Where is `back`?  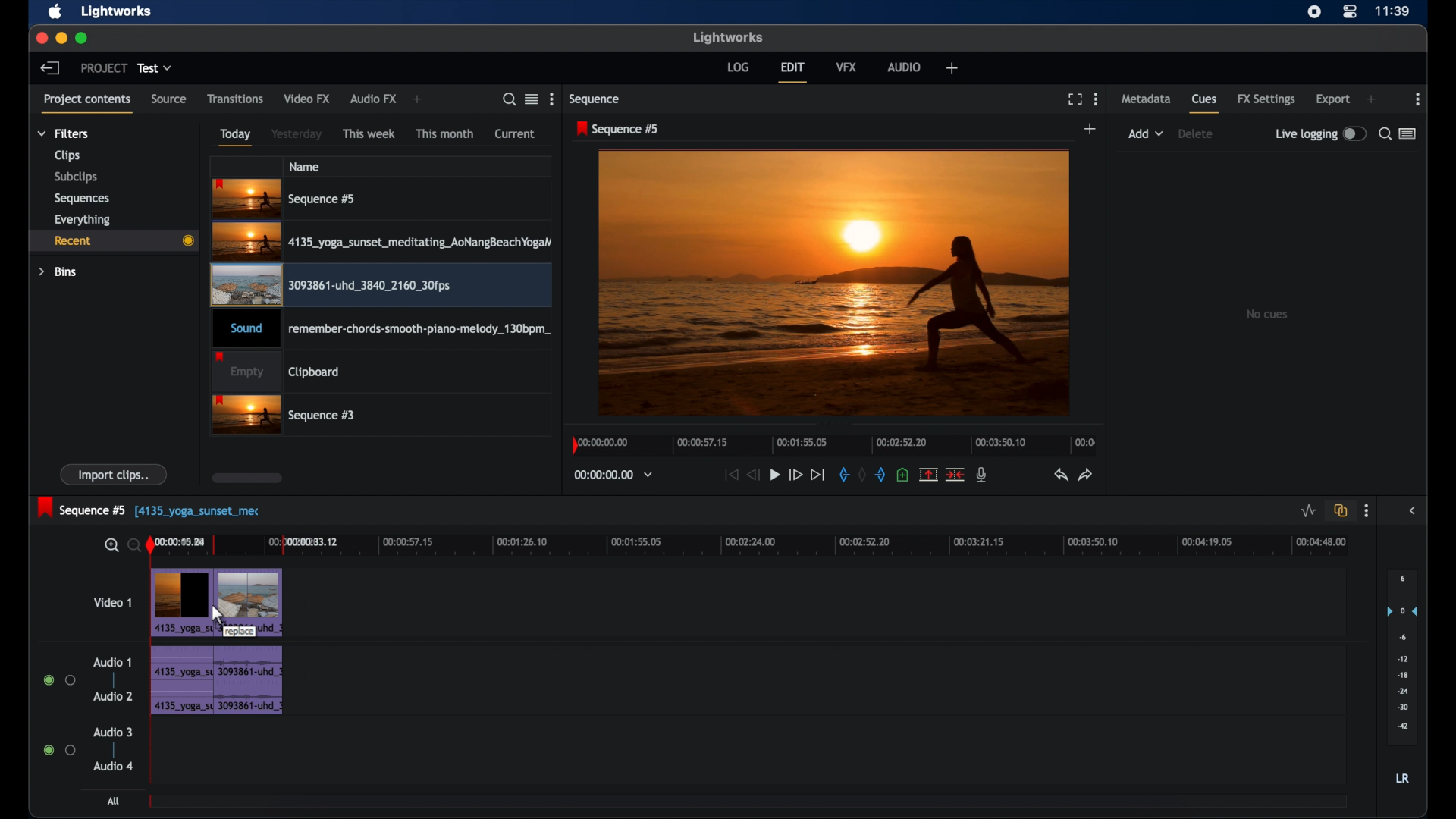 back is located at coordinates (51, 67).